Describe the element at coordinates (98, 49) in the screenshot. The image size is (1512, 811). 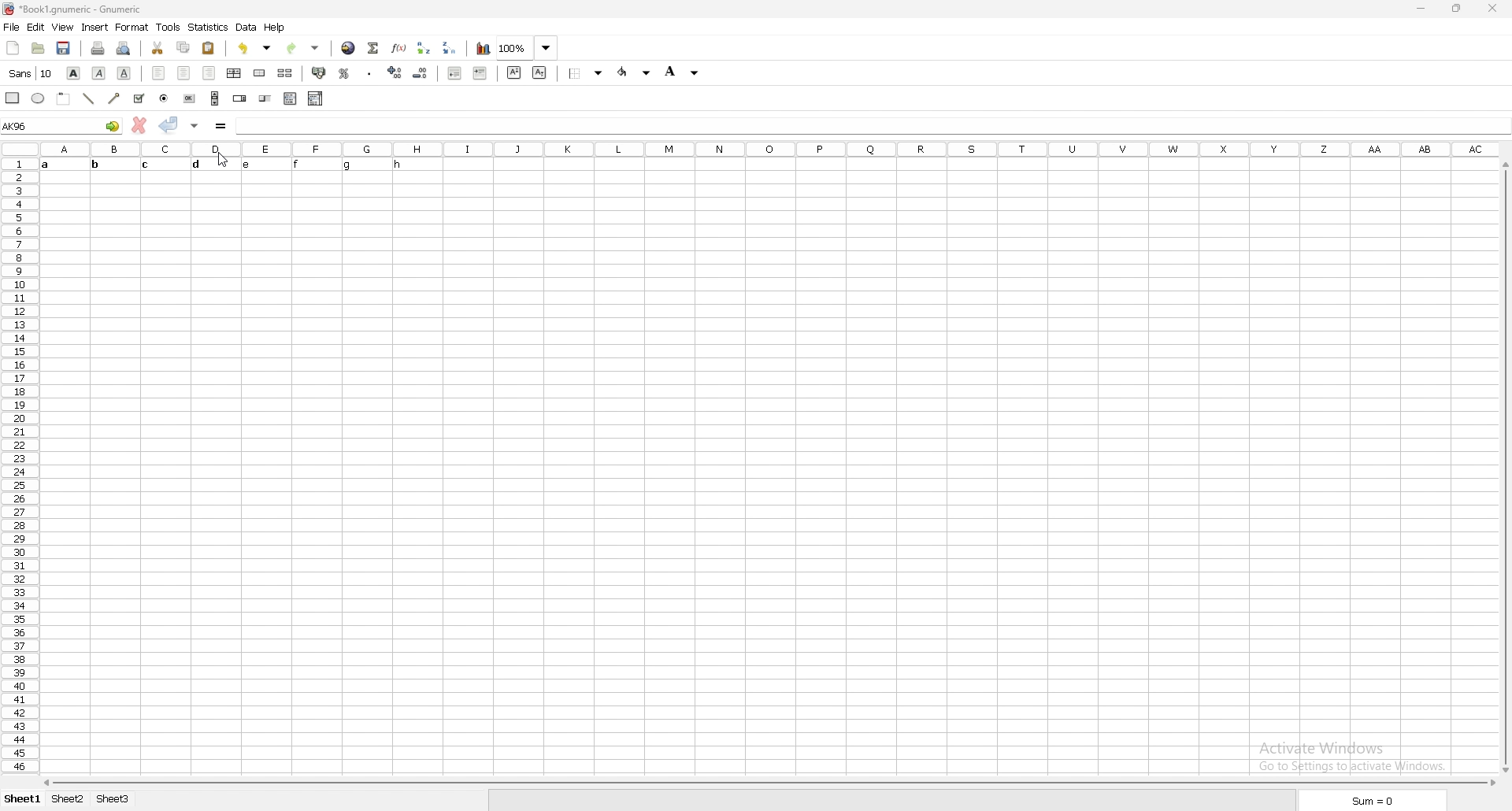
I see `print` at that location.